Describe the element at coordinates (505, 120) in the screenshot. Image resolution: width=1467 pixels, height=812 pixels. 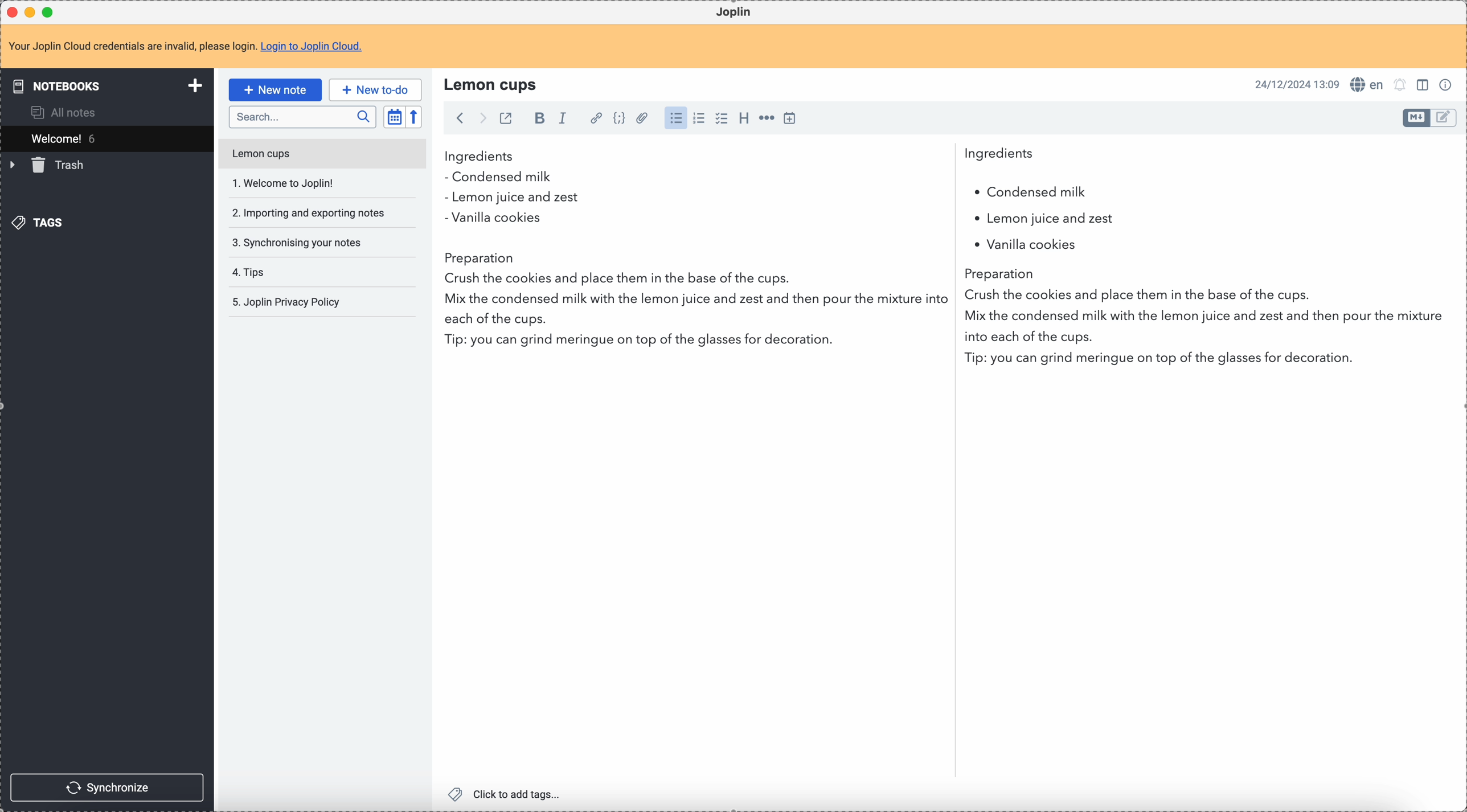
I see `toggle external editing` at that location.